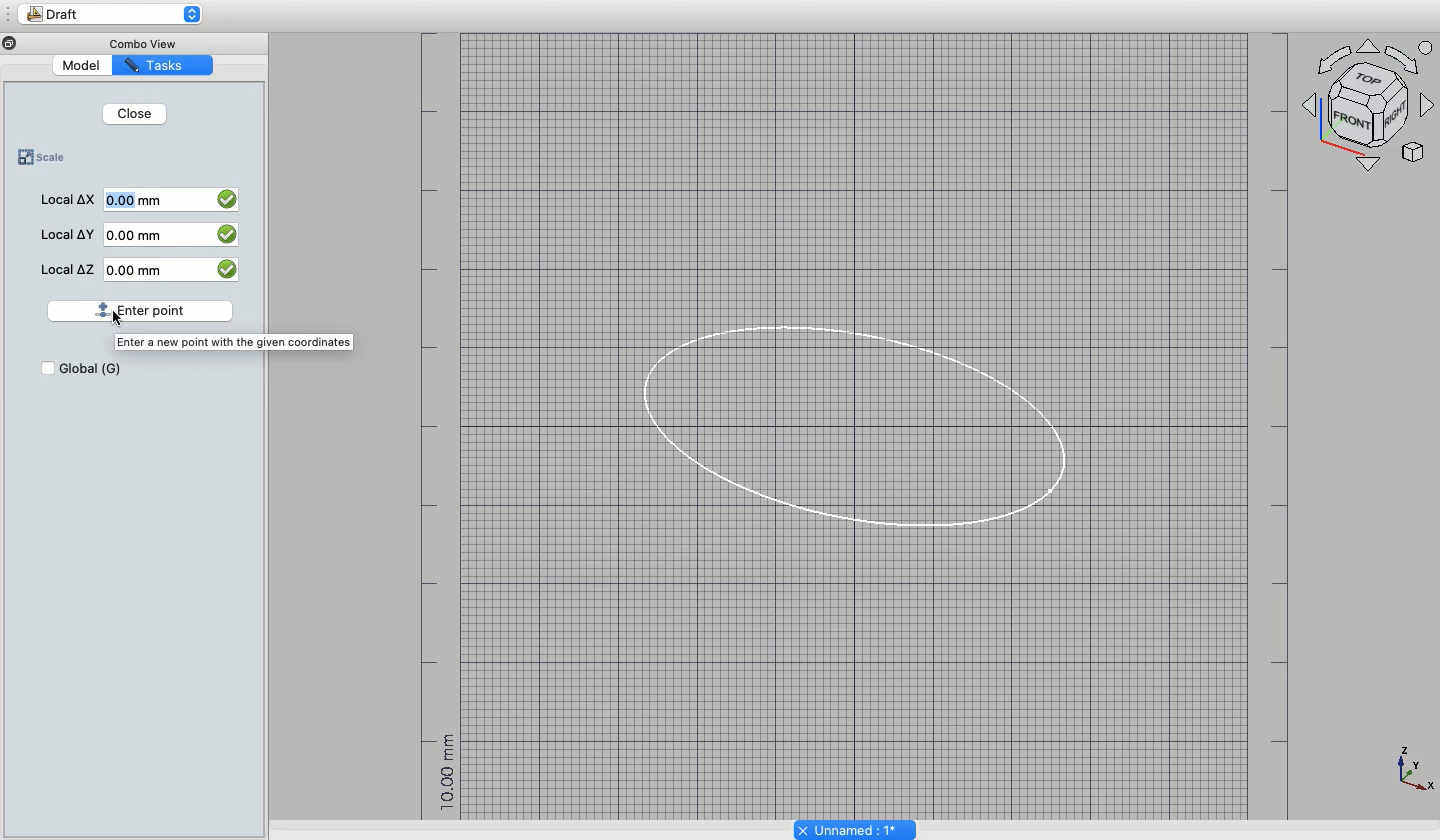 This screenshot has width=1440, height=840. Describe the element at coordinates (856, 828) in the screenshot. I see `Unnamed: 1` at that location.